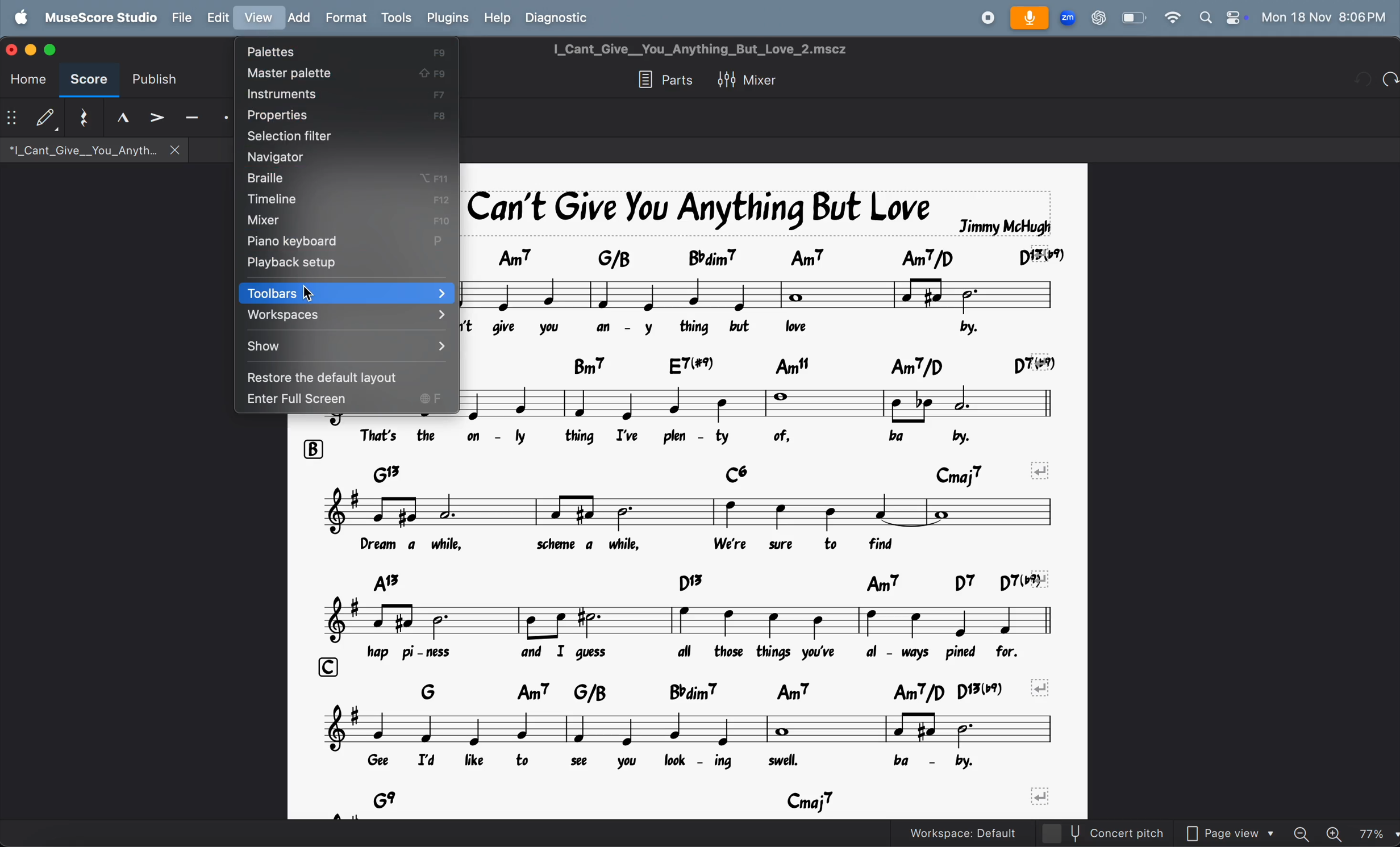 This screenshot has width=1400, height=847. I want to click on palettes, so click(346, 54).